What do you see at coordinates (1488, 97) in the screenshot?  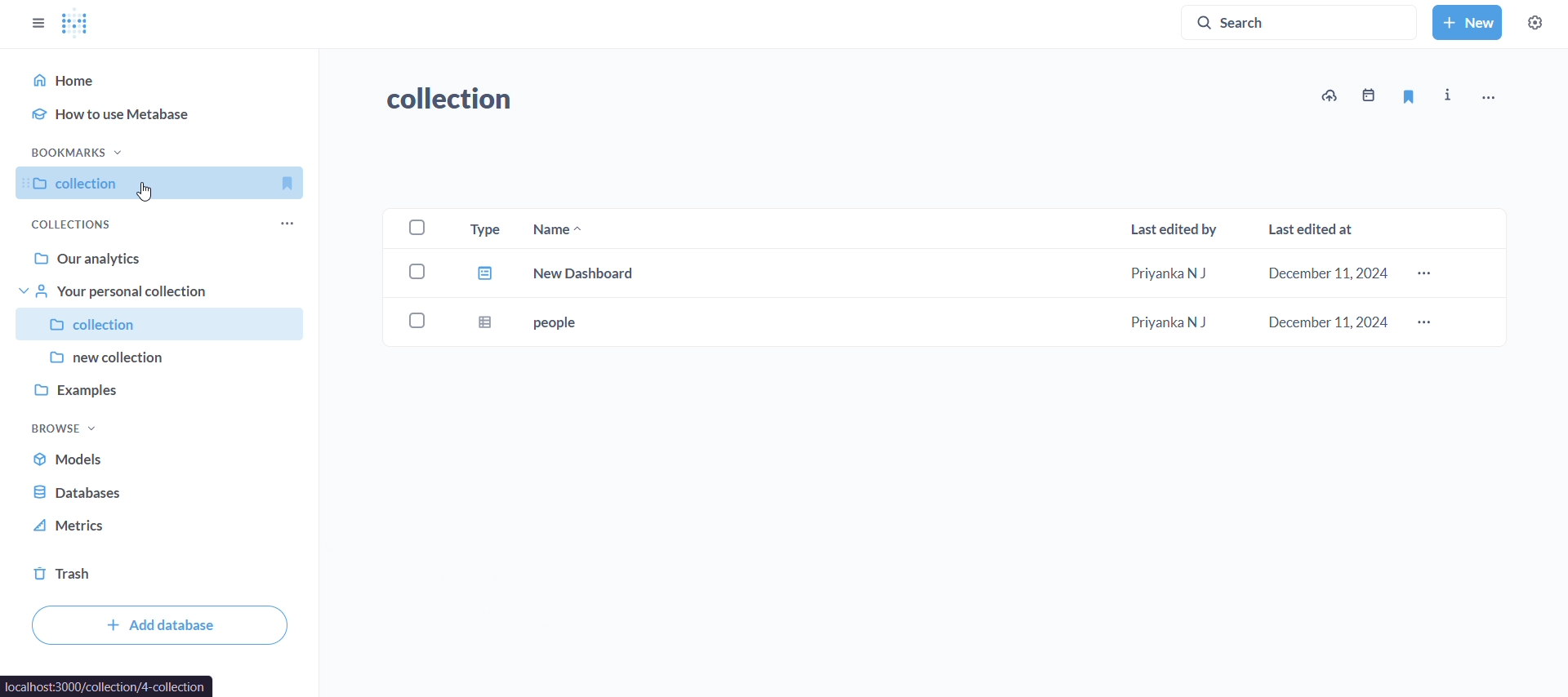 I see `menu` at bounding box center [1488, 97].